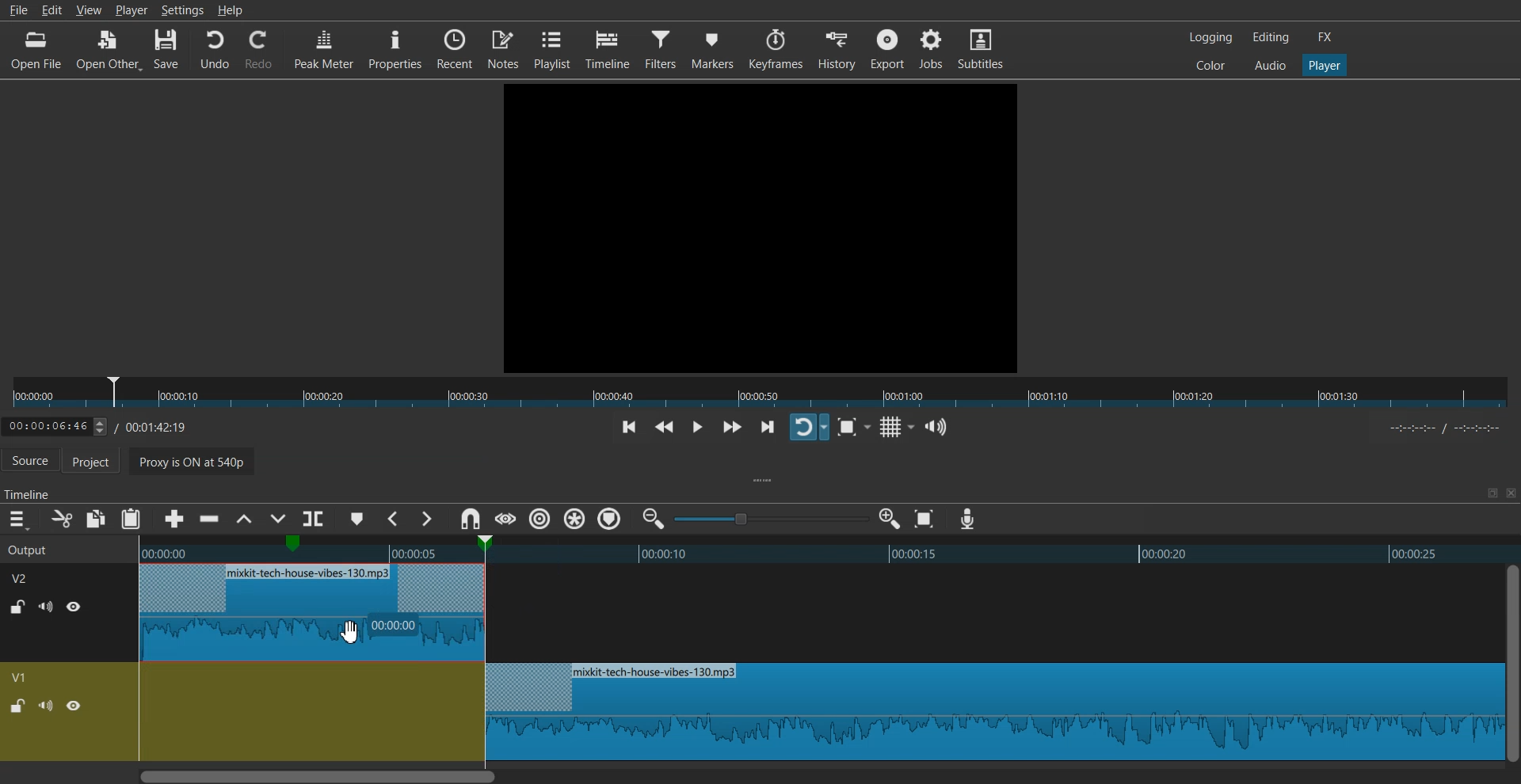  I want to click on Edit, so click(55, 10).